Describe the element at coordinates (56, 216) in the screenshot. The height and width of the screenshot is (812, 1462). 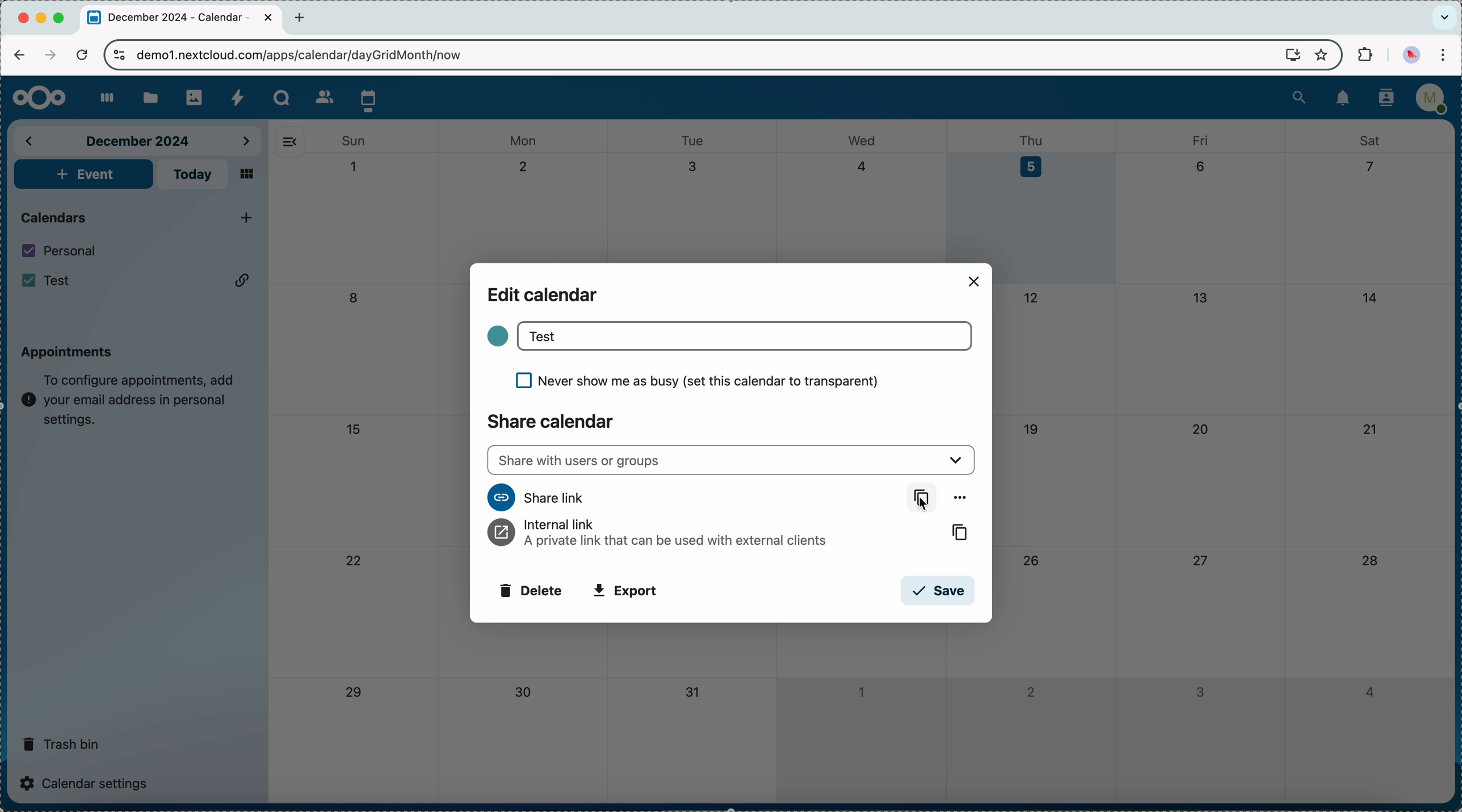
I see `calendars` at that location.